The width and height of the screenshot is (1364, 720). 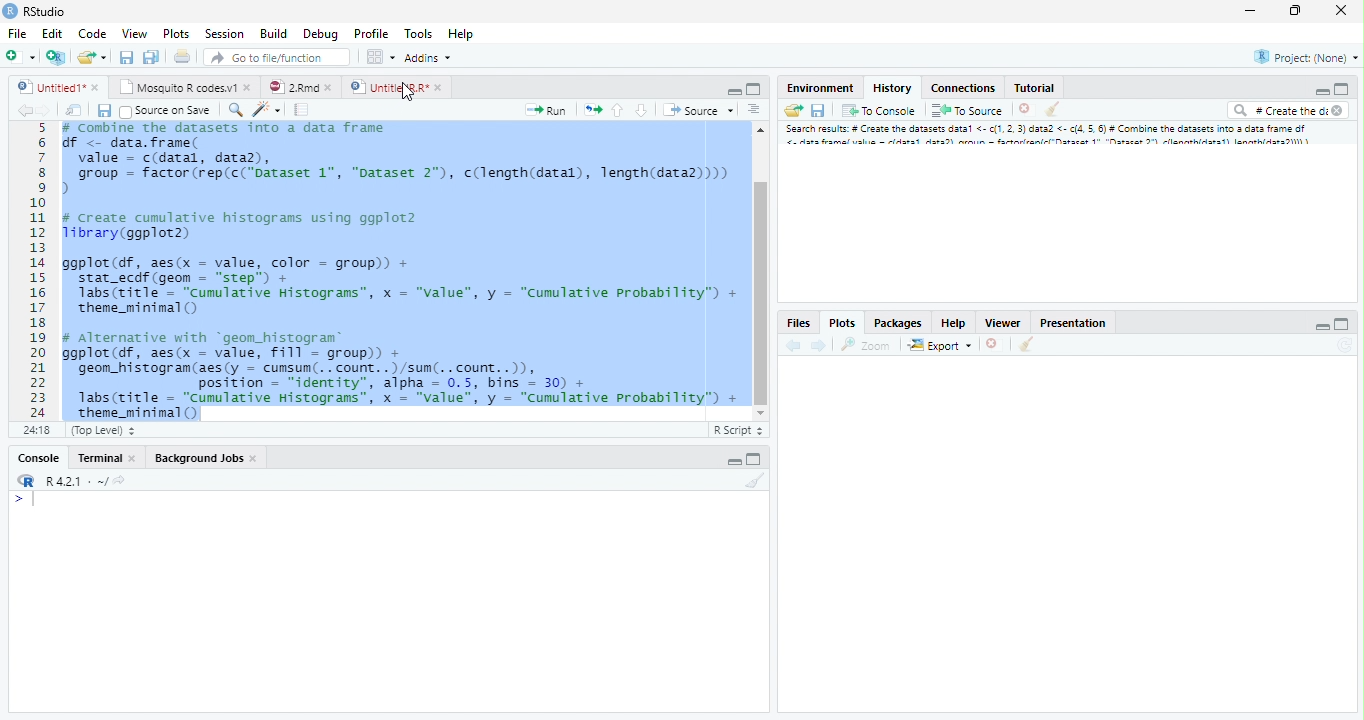 I want to click on Plots, so click(x=176, y=35).